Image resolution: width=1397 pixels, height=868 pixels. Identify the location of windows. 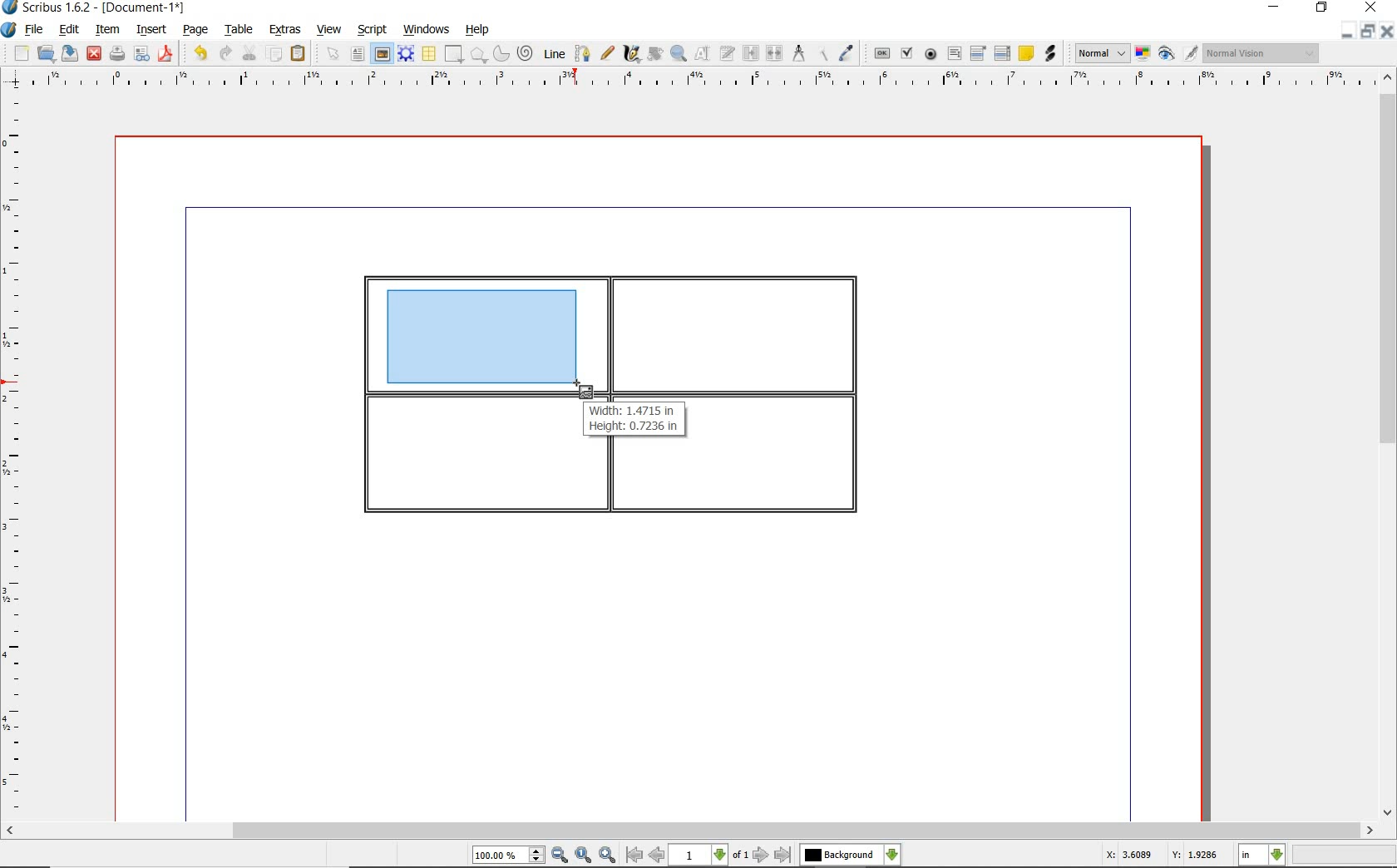
(426, 30).